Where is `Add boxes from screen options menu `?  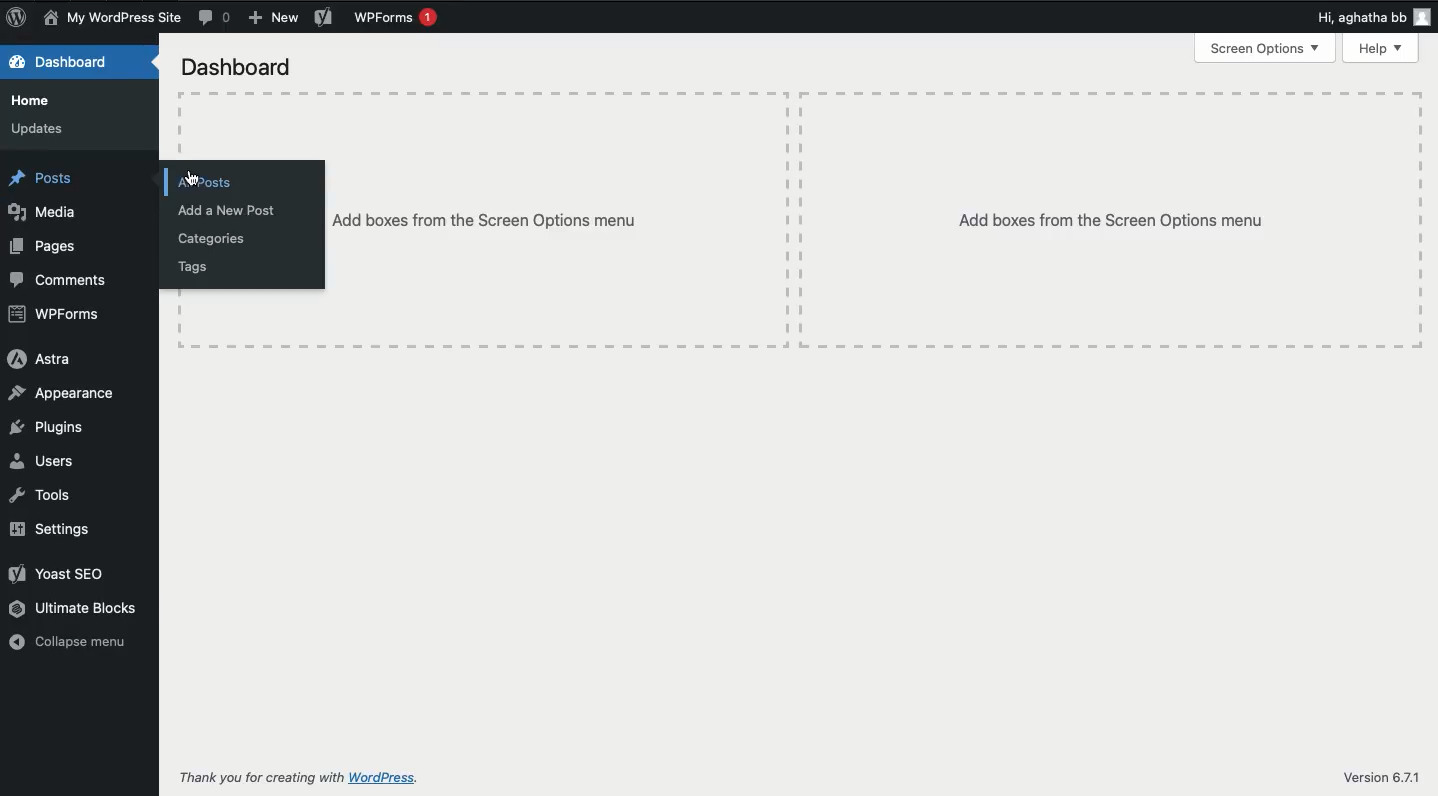
Add boxes from screen options menu  is located at coordinates (1112, 219).